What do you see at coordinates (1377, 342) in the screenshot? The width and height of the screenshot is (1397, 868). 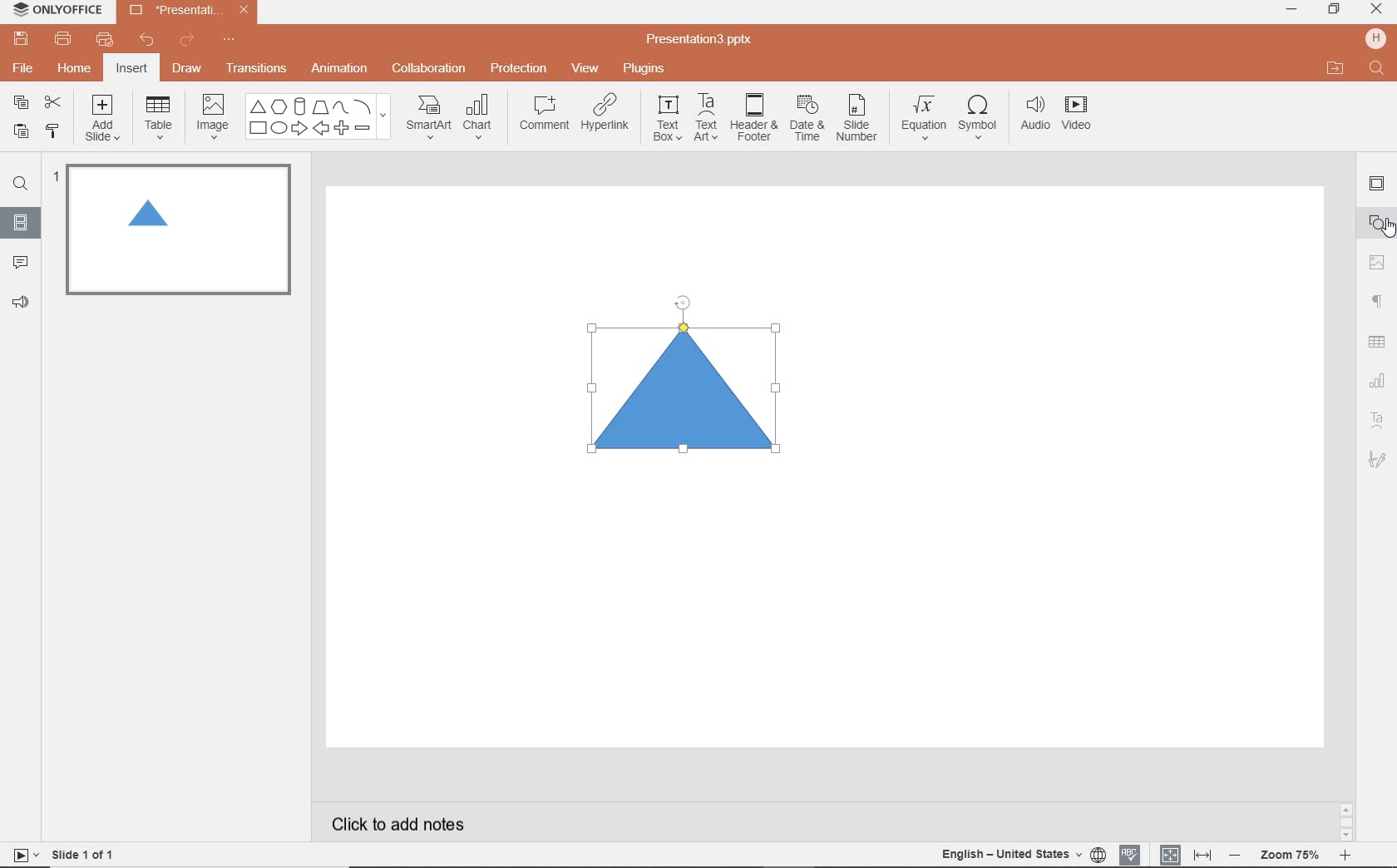 I see `TABLE SETTINGS` at bounding box center [1377, 342].